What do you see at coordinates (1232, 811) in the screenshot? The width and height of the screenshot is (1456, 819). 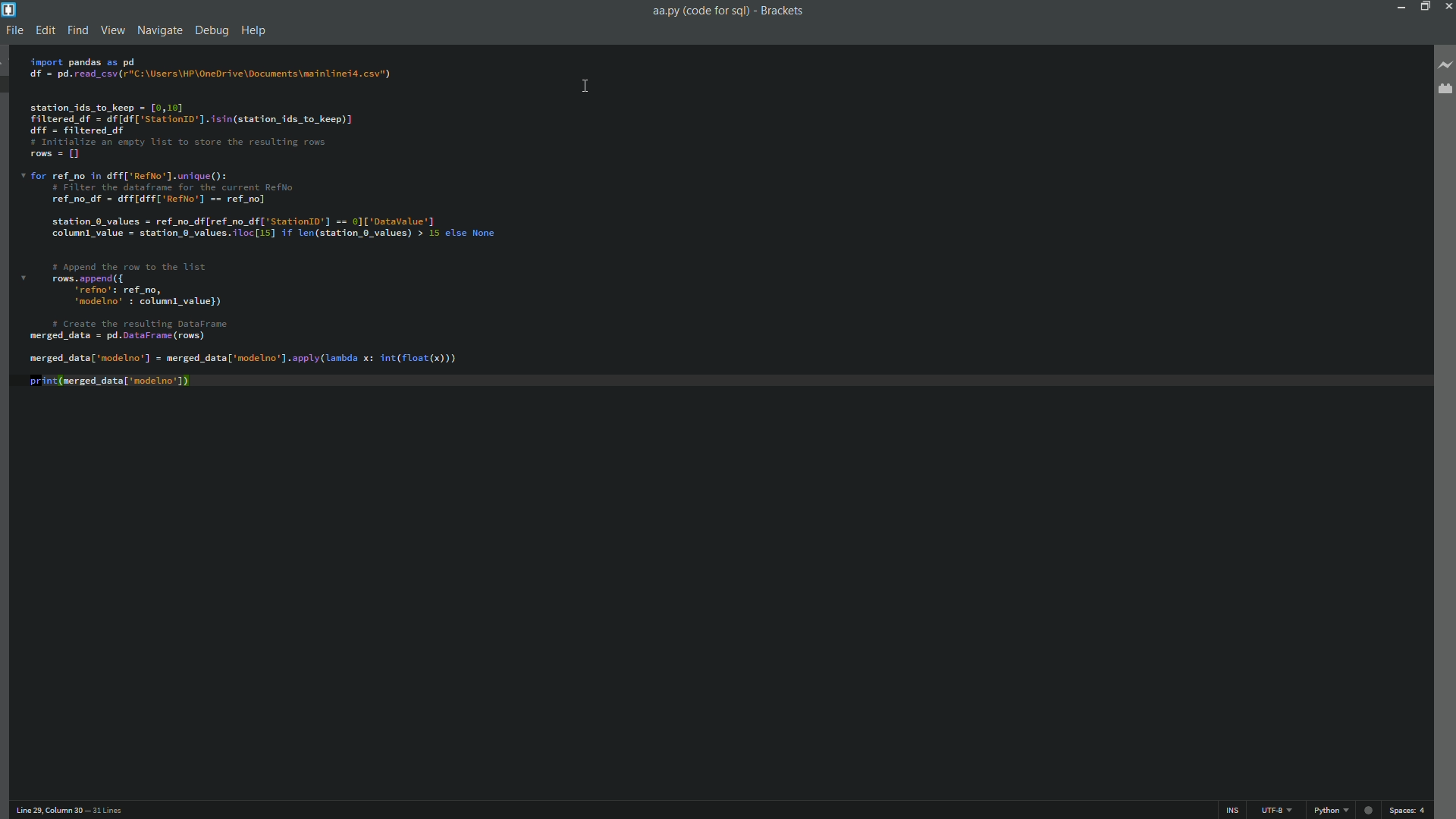 I see `ins text field` at bounding box center [1232, 811].